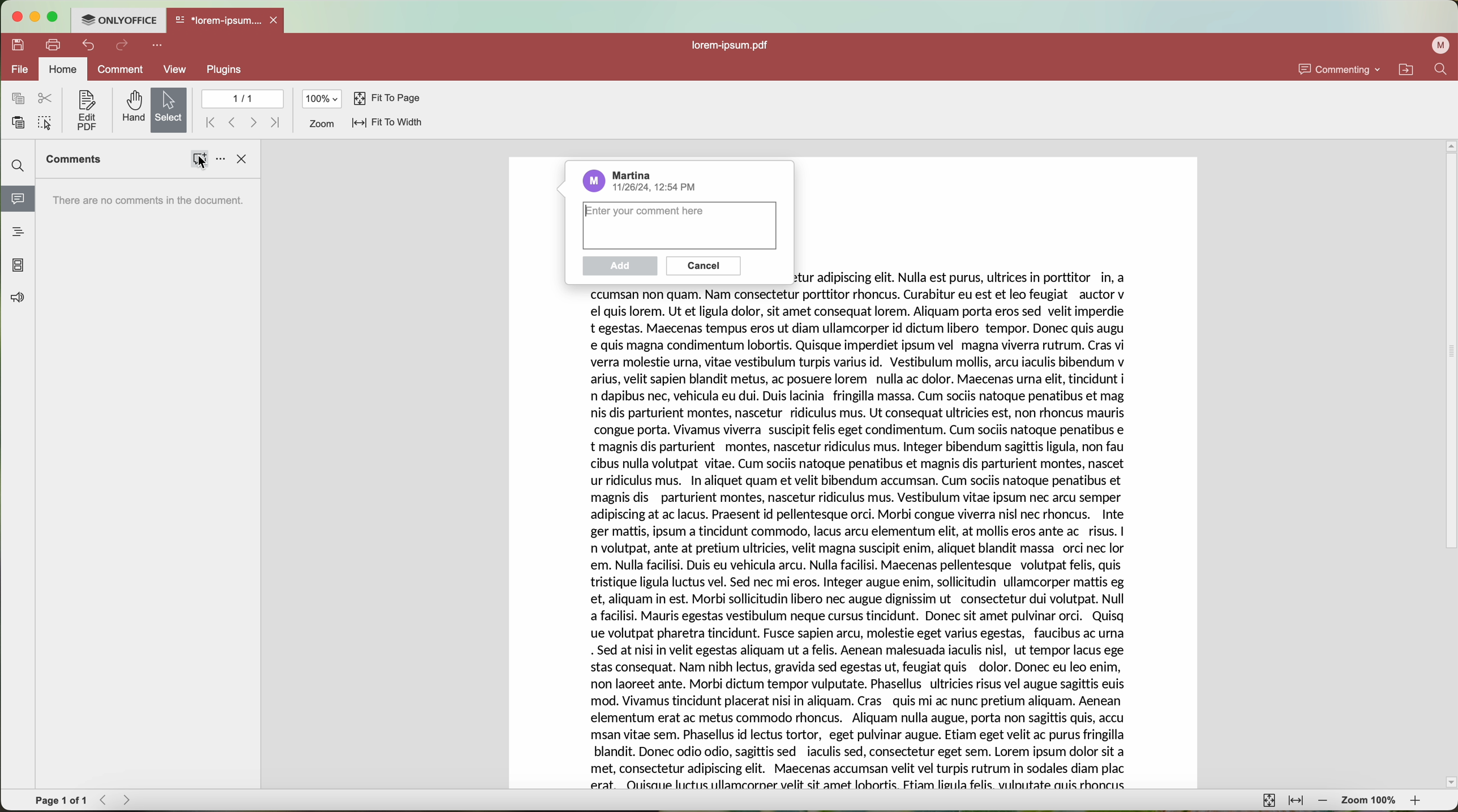 The height and width of the screenshot is (812, 1458). What do you see at coordinates (243, 159) in the screenshot?
I see `close side bar` at bounding box center [243, 159].